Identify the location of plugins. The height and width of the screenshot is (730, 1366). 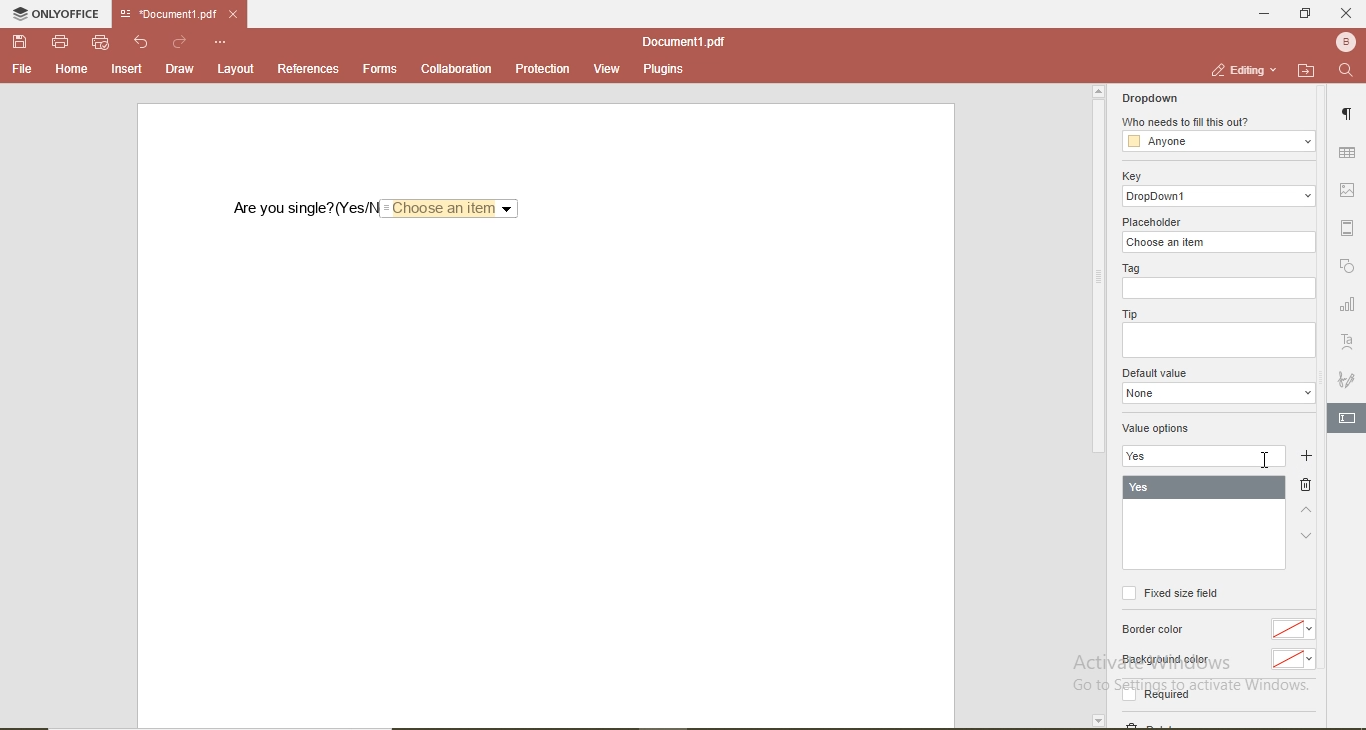
(660, 69).